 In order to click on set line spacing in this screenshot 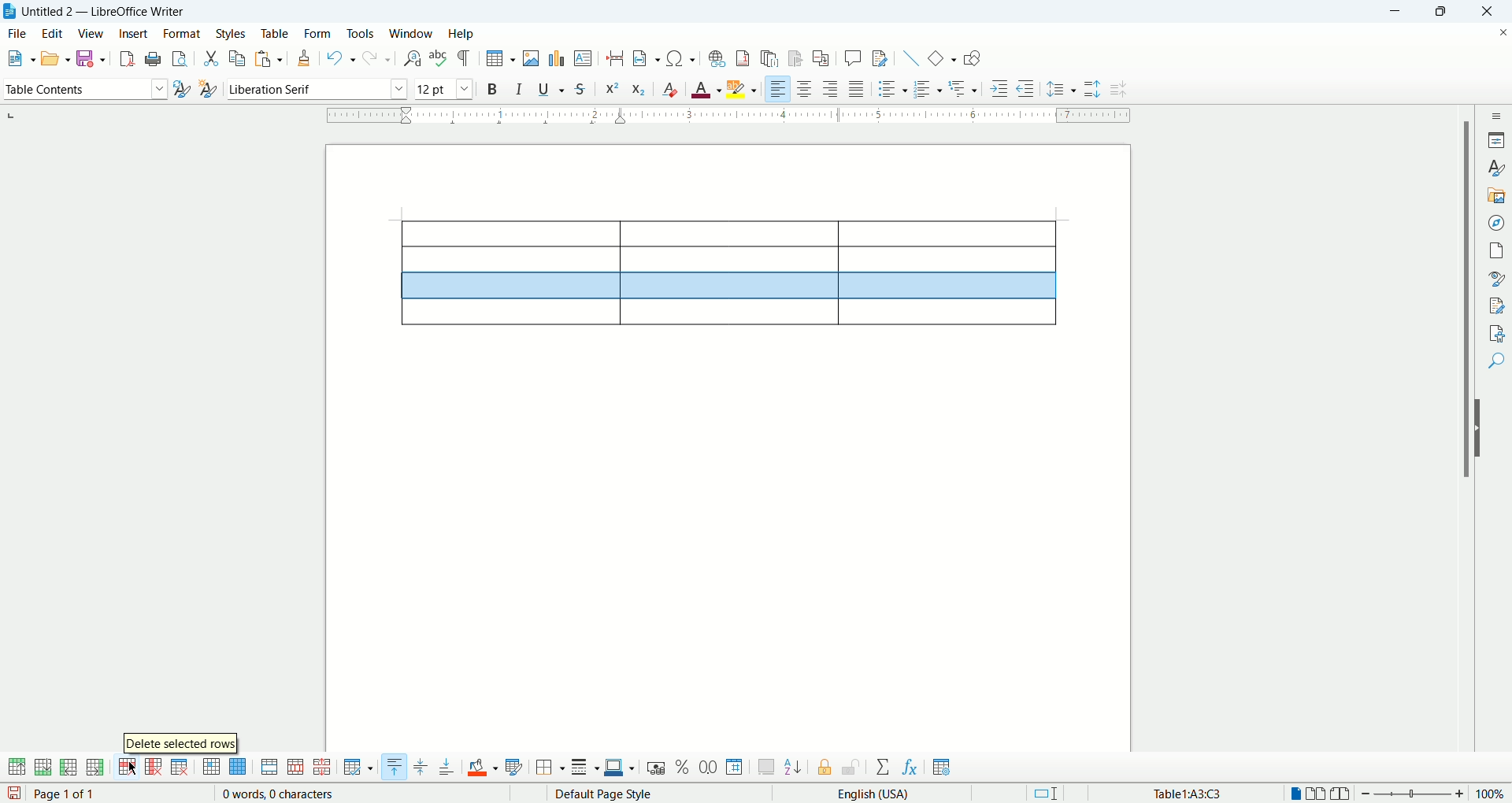, I will do `click(1061, 88)`.